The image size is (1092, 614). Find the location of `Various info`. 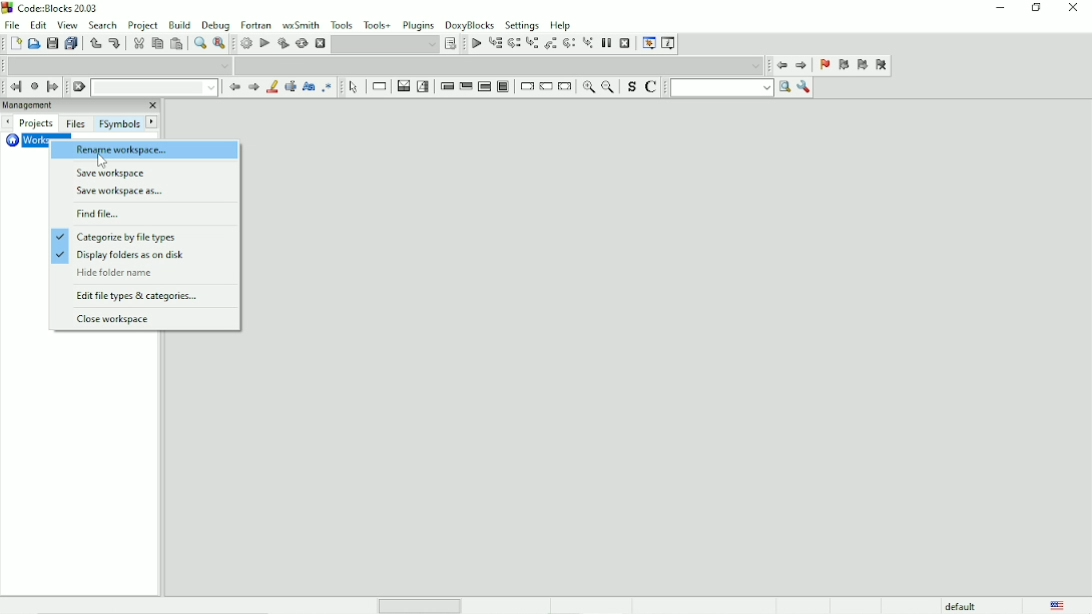

Various info is located at coordinates (668, 44).